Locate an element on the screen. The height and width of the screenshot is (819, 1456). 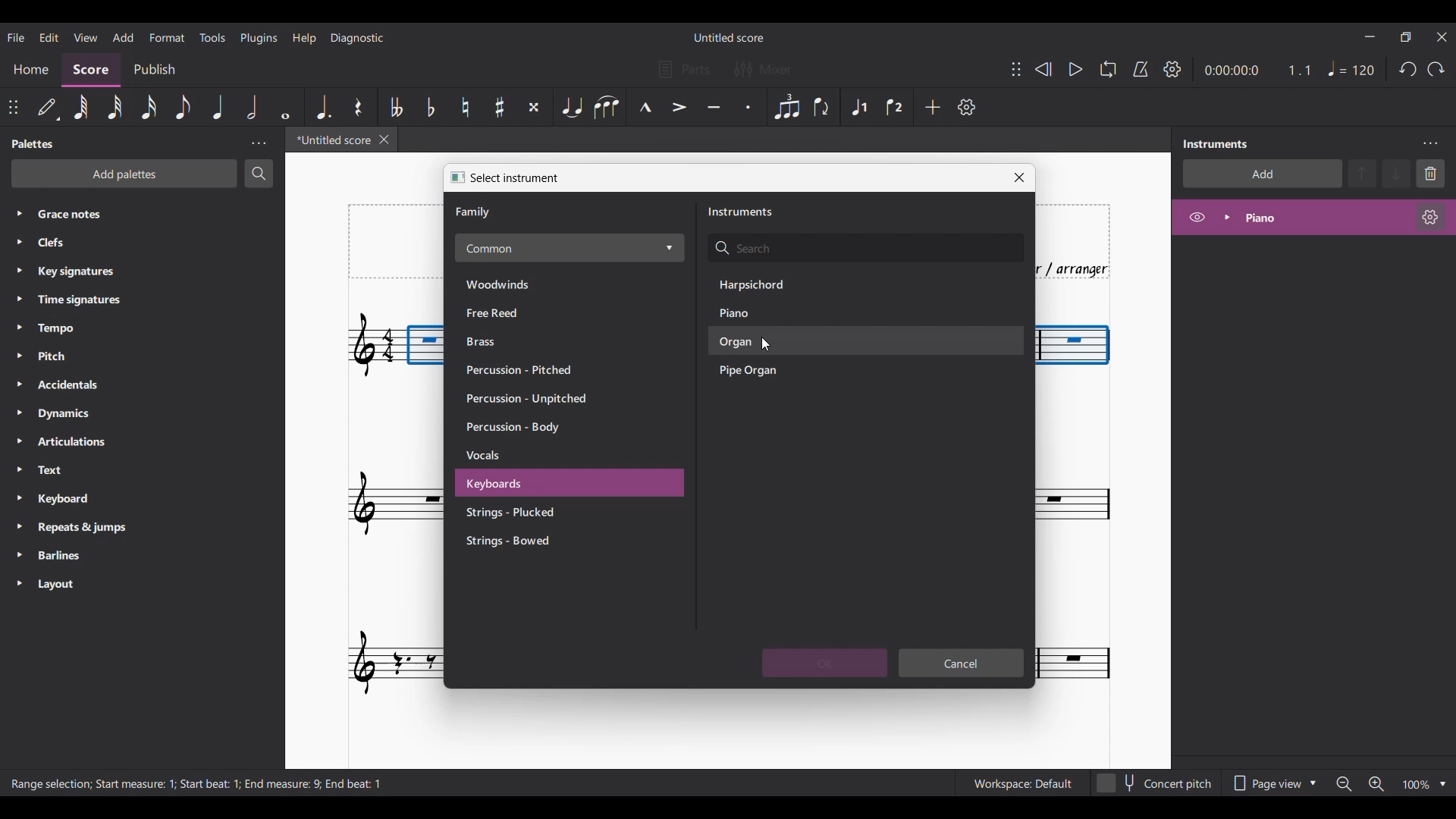
16th note is located at coordinates (149, 106).